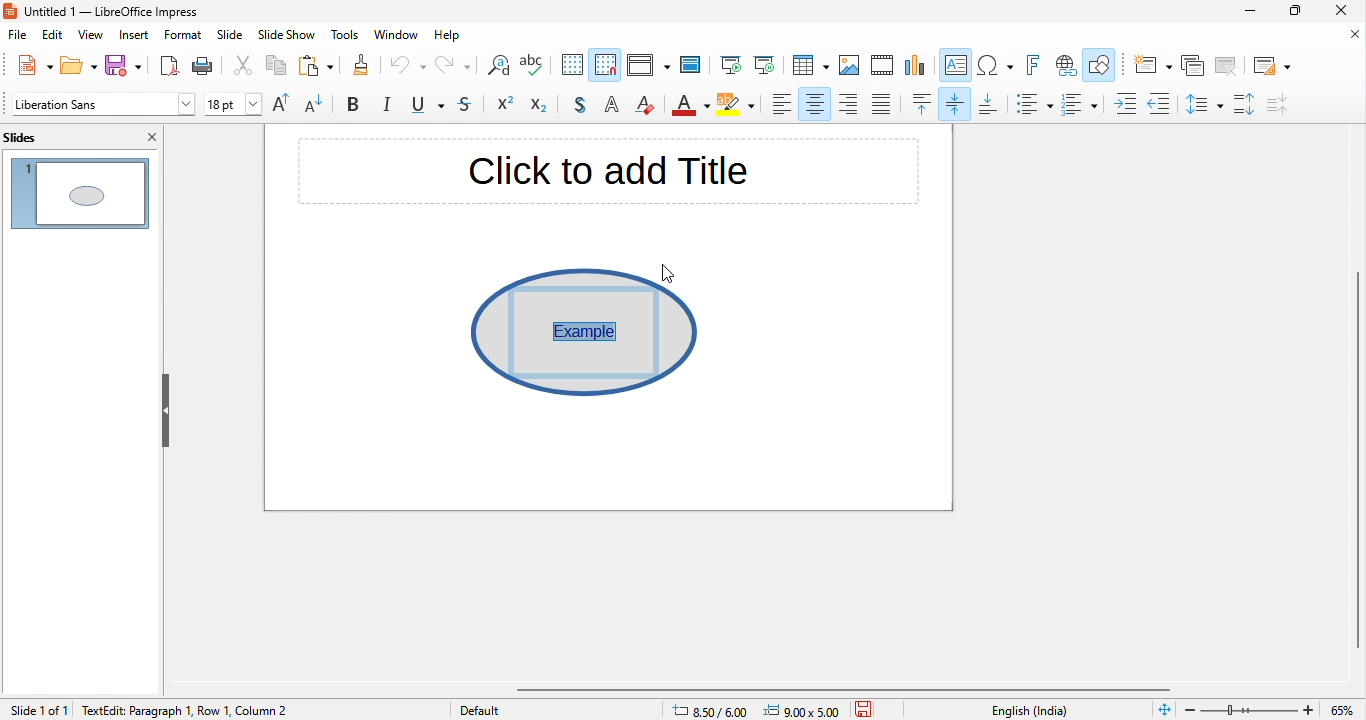 This screenshot has width=1366, height=720. I want to click on decrease font size, so click(321, 106).